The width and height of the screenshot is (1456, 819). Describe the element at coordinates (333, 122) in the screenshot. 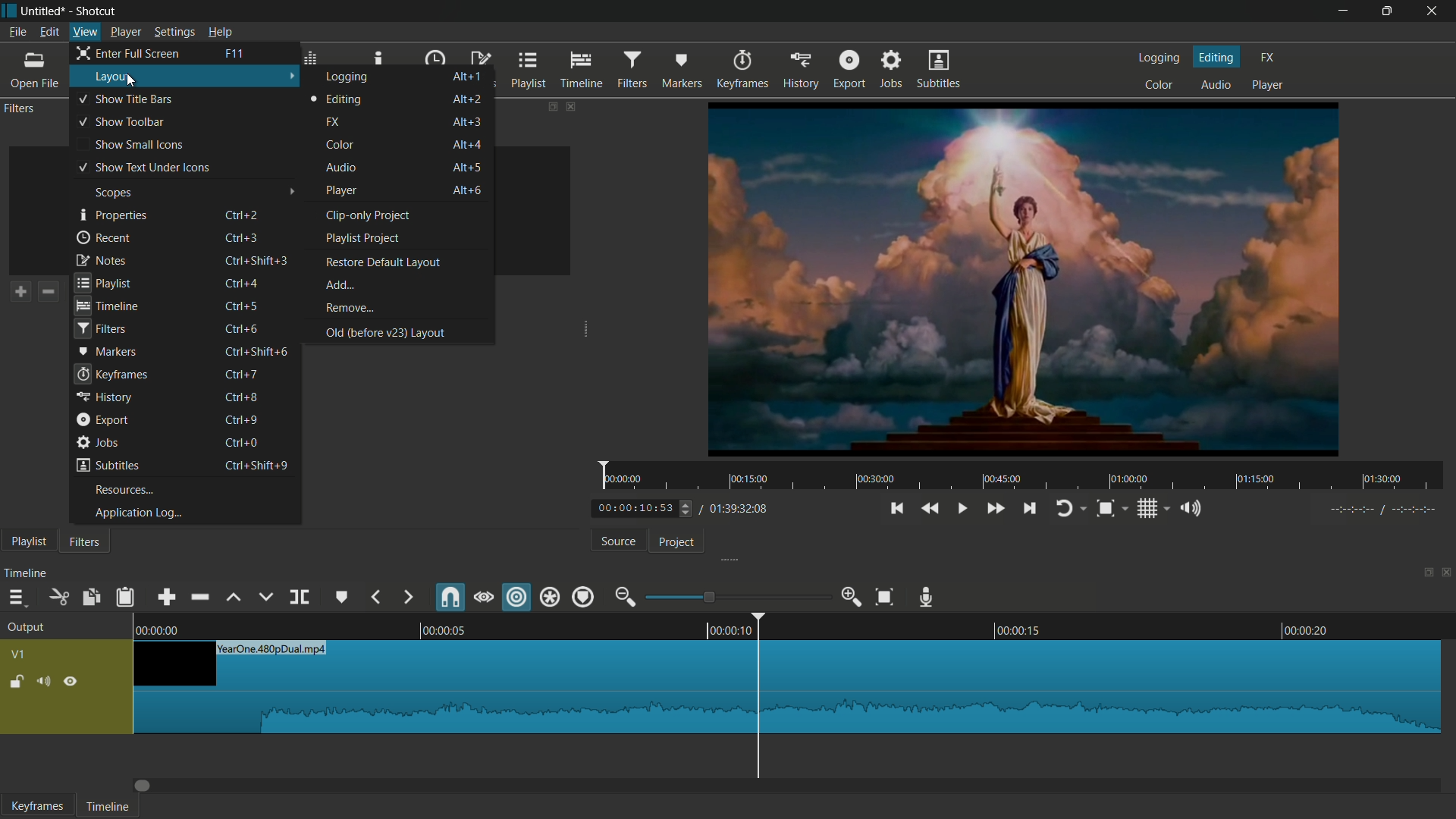

I see `fx` at that location.